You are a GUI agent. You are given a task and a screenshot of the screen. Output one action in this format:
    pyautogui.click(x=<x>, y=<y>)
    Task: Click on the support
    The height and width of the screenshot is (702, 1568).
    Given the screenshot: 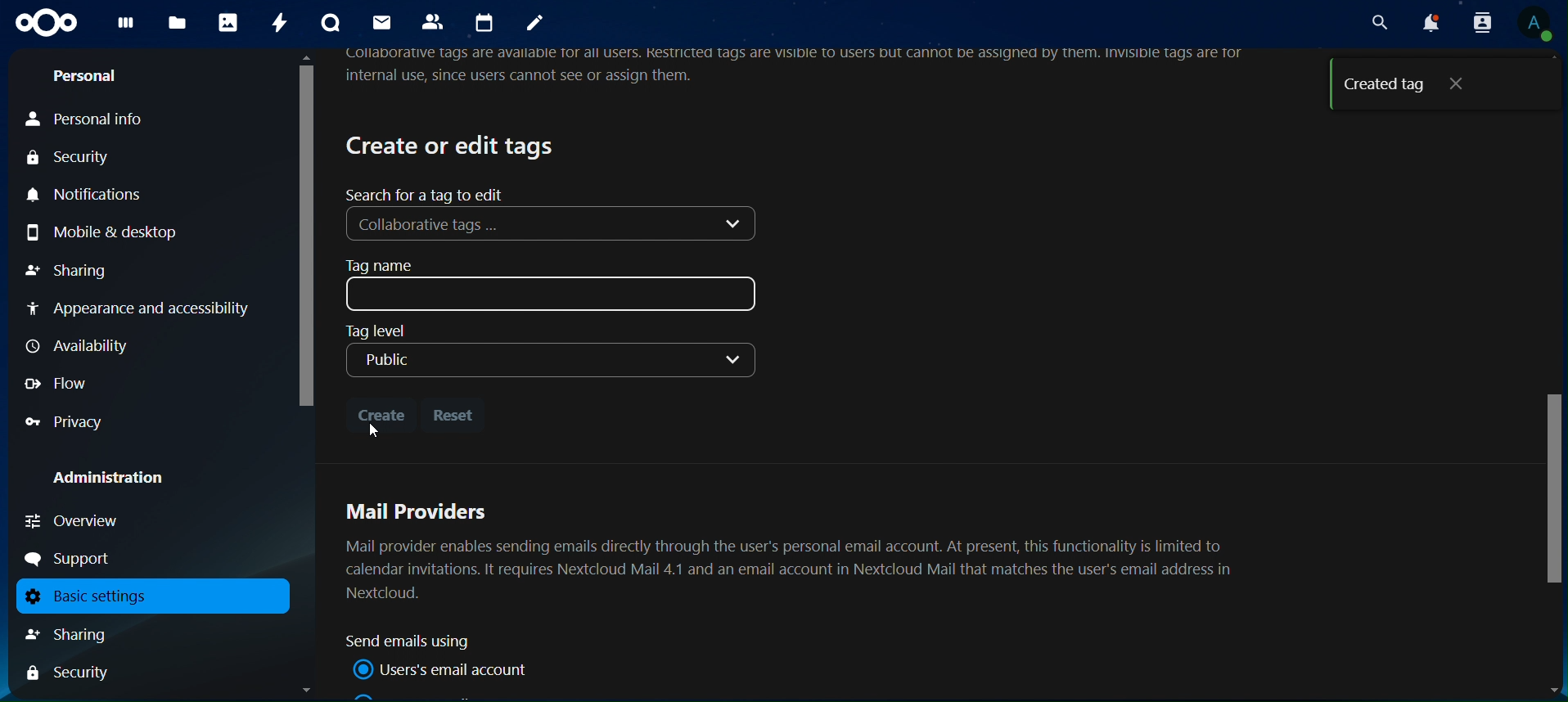 What is the action you would take?
    pyautogui.click(x=74, y=559)
    